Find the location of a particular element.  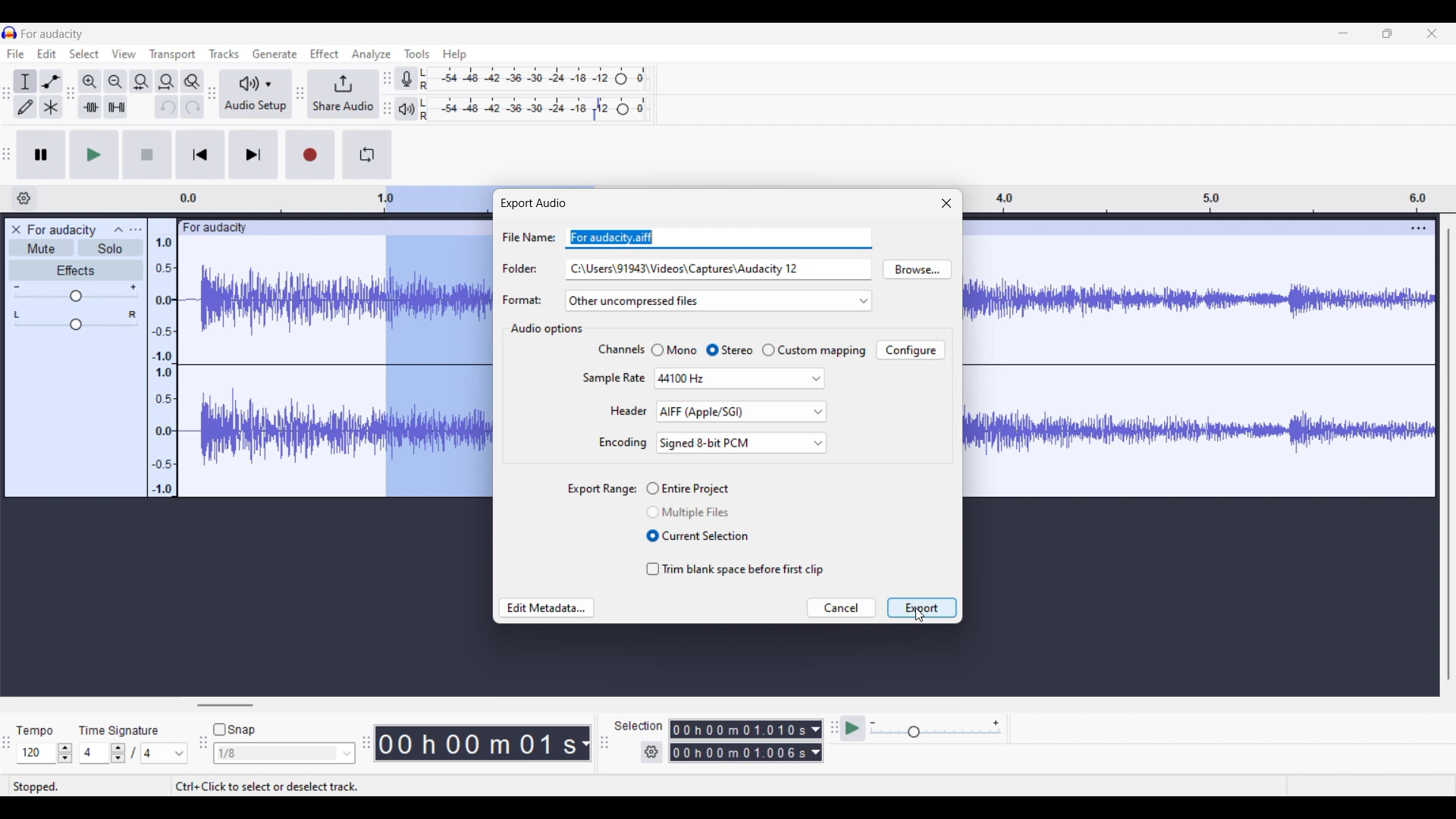

Pause is located at coordinates (41, 155).